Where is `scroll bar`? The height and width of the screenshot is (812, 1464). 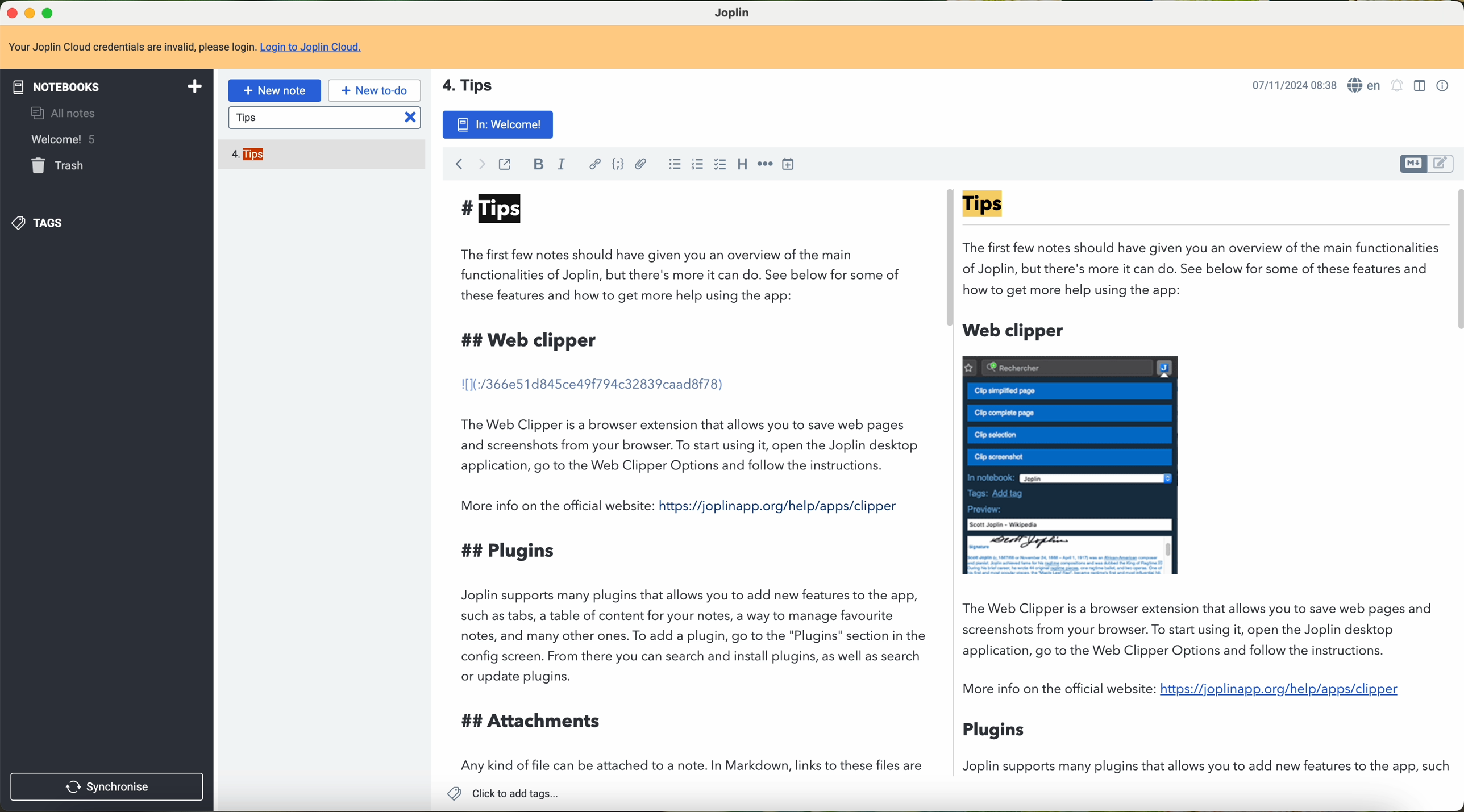
scroll bar is located at coordinates (943, 261).